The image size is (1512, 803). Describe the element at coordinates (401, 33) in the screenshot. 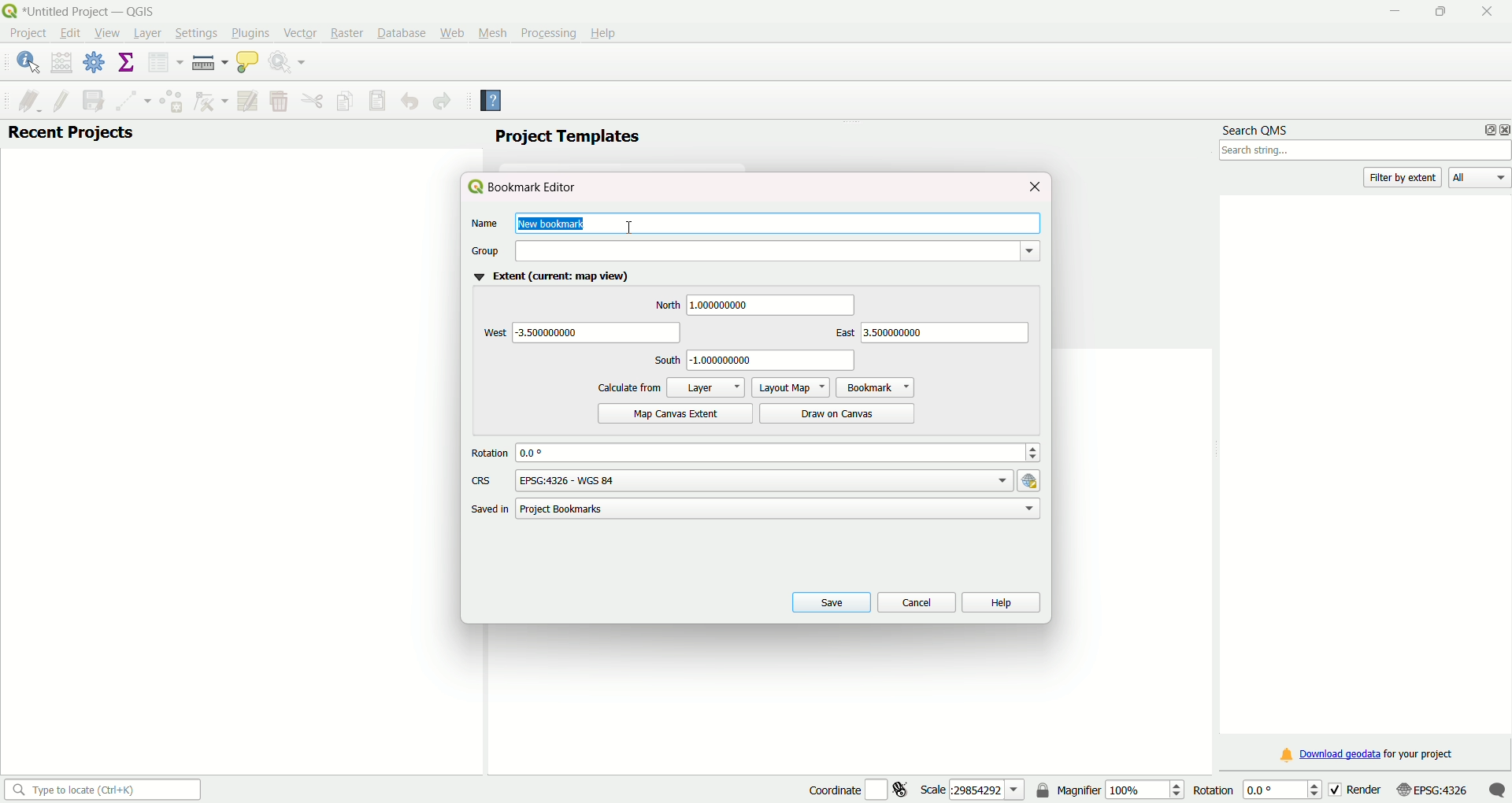

I see `Database` at that location.